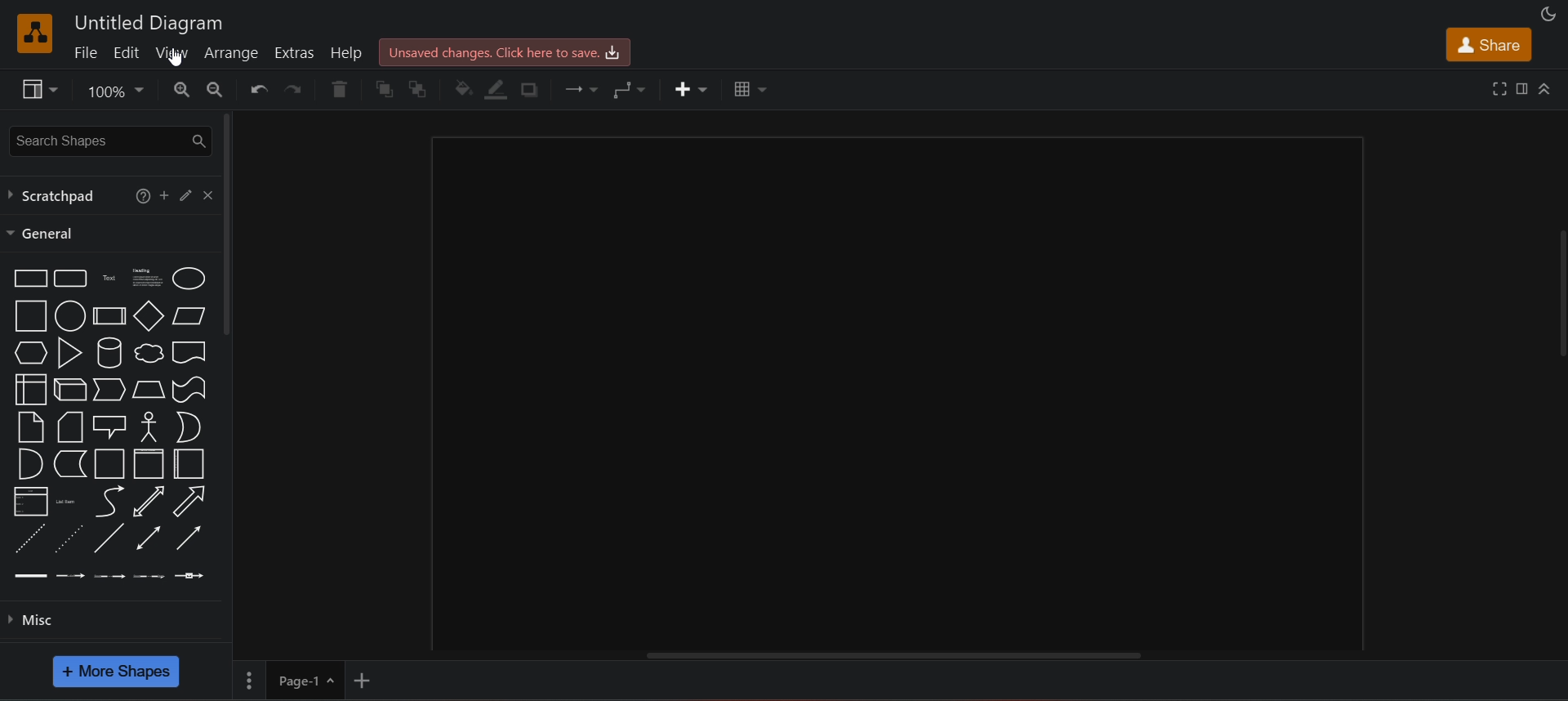 This screenshot has height=701, width=1568. Describe the element at coordinates (1488, 45) in the screenshot. I see `share` at that location.